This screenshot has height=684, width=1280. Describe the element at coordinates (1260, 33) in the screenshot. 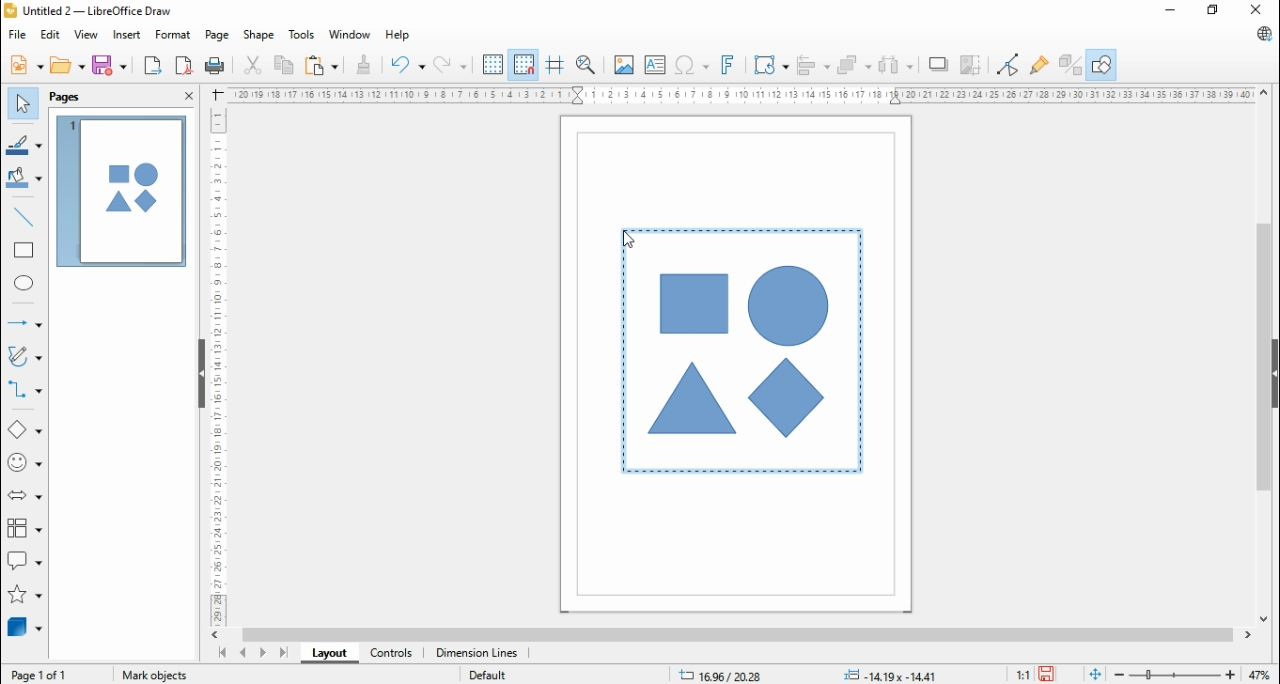

I see `libre office update` at that location.